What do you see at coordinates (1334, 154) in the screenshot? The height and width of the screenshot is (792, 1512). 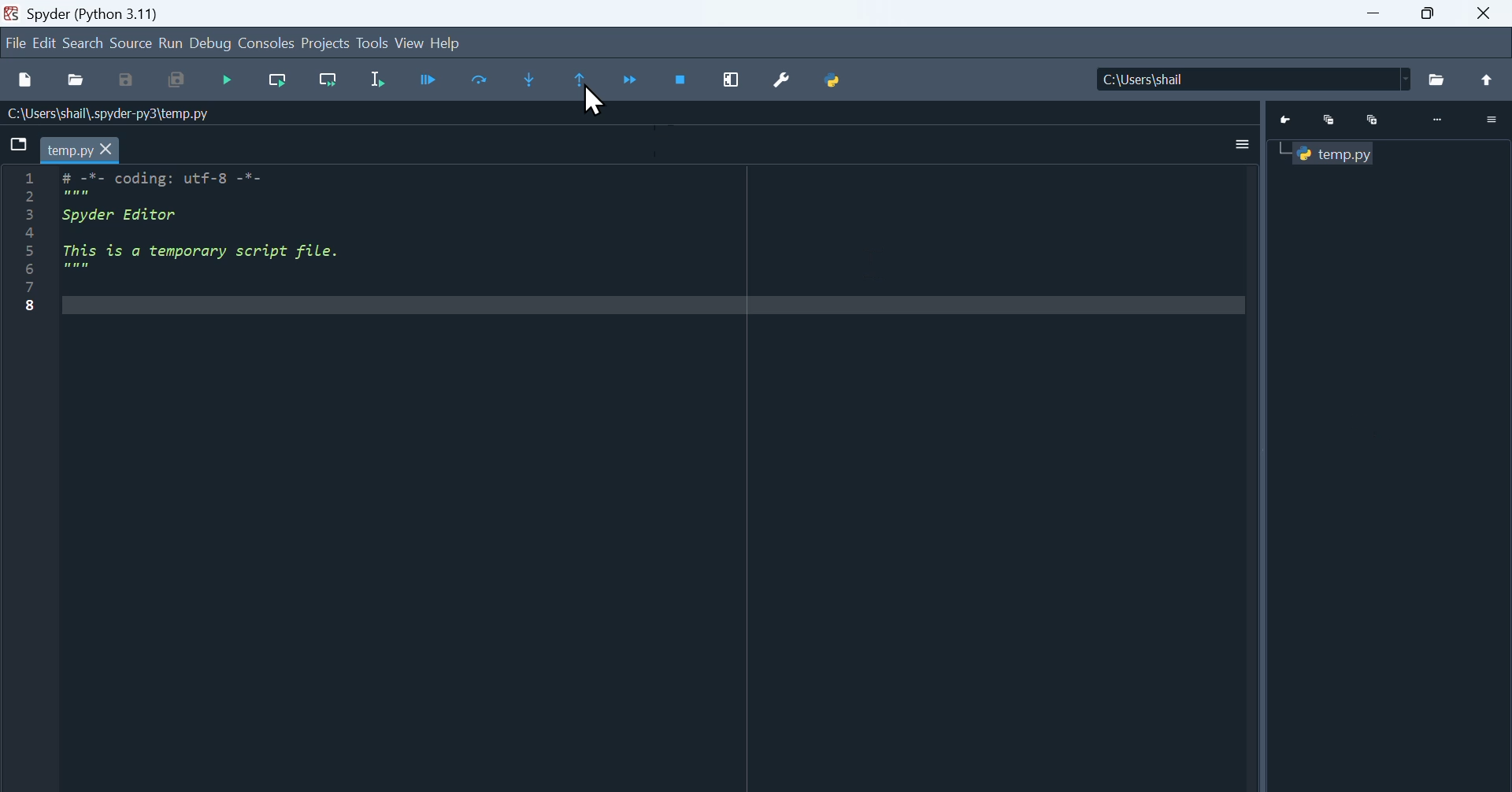 I see `Python console` at bounding box center [1334, 154].